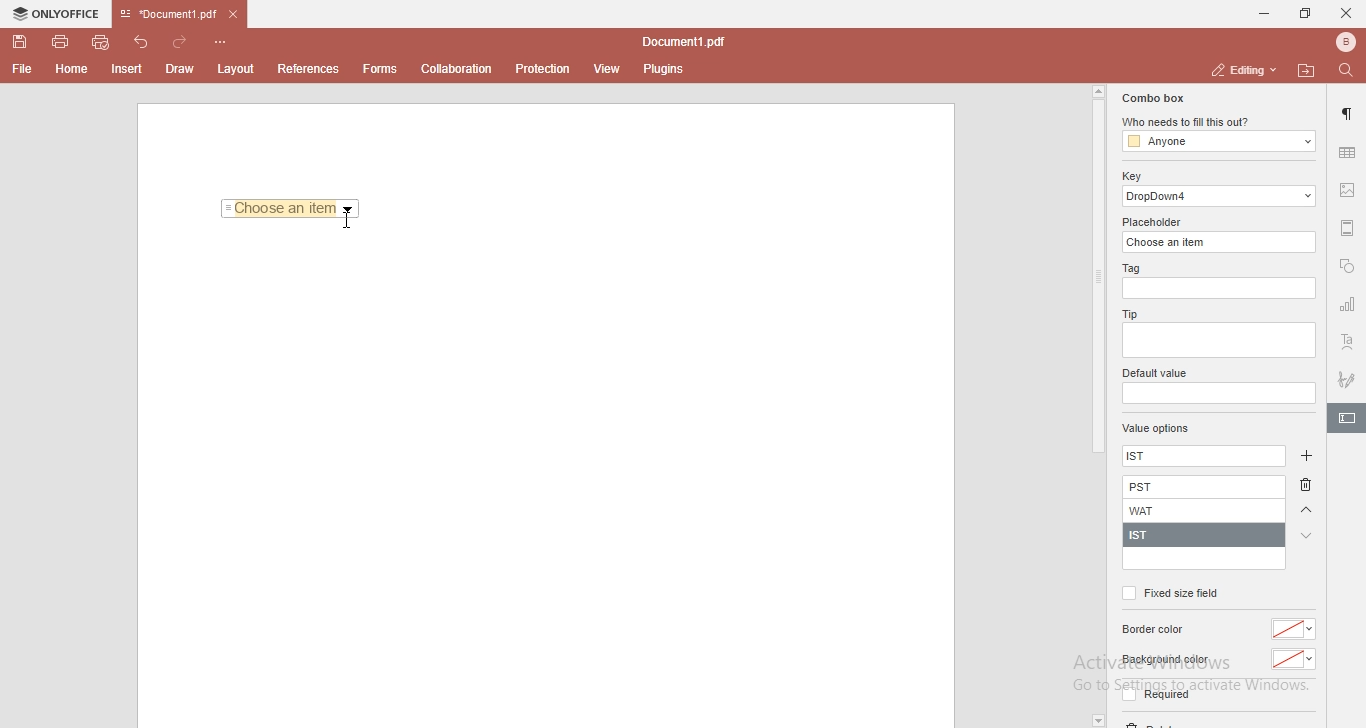 The image size is (1366, 728). I want to click on File, so click(20, 69).